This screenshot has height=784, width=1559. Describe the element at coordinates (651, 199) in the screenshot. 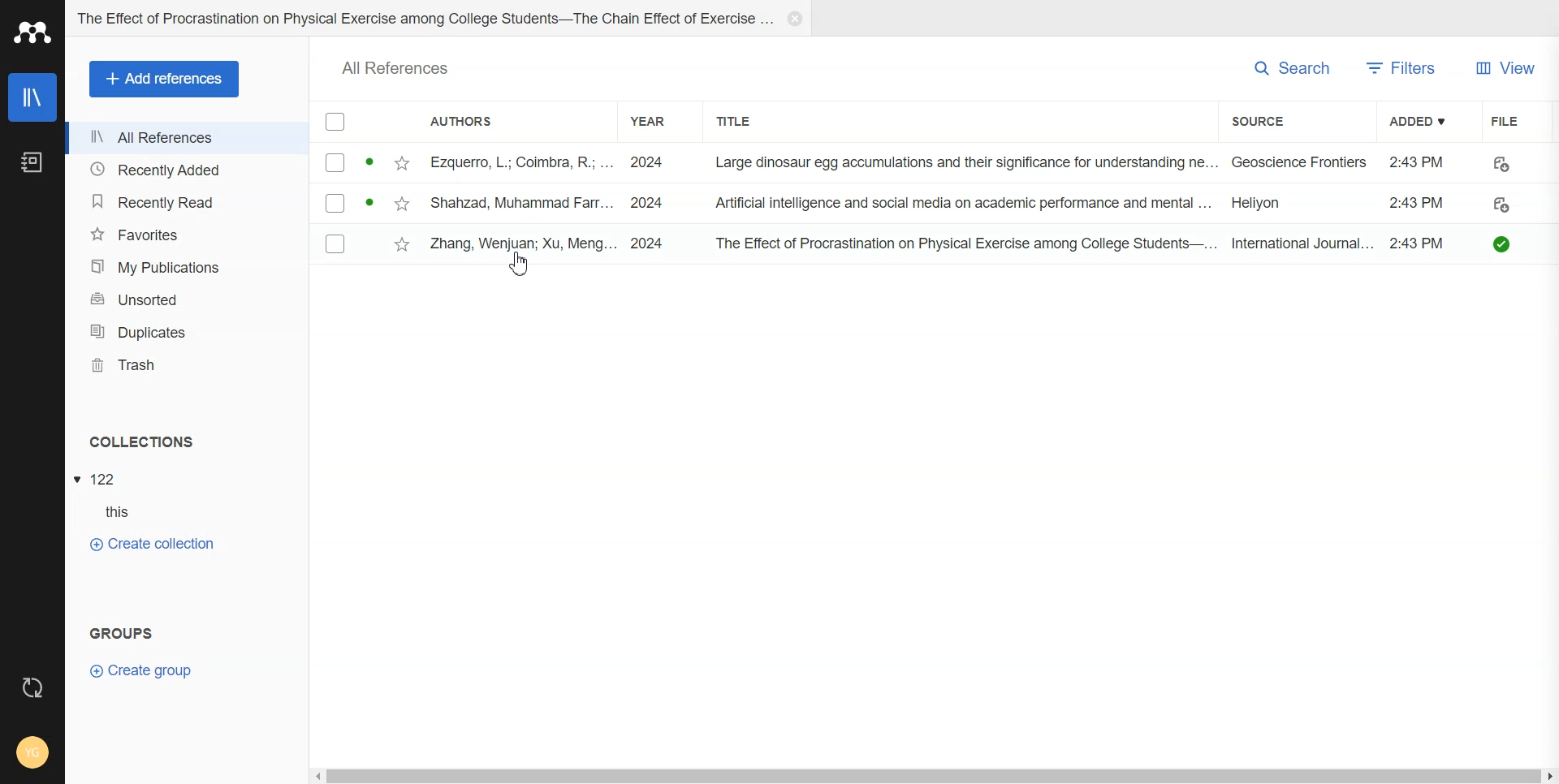

I see `2024` at that location.